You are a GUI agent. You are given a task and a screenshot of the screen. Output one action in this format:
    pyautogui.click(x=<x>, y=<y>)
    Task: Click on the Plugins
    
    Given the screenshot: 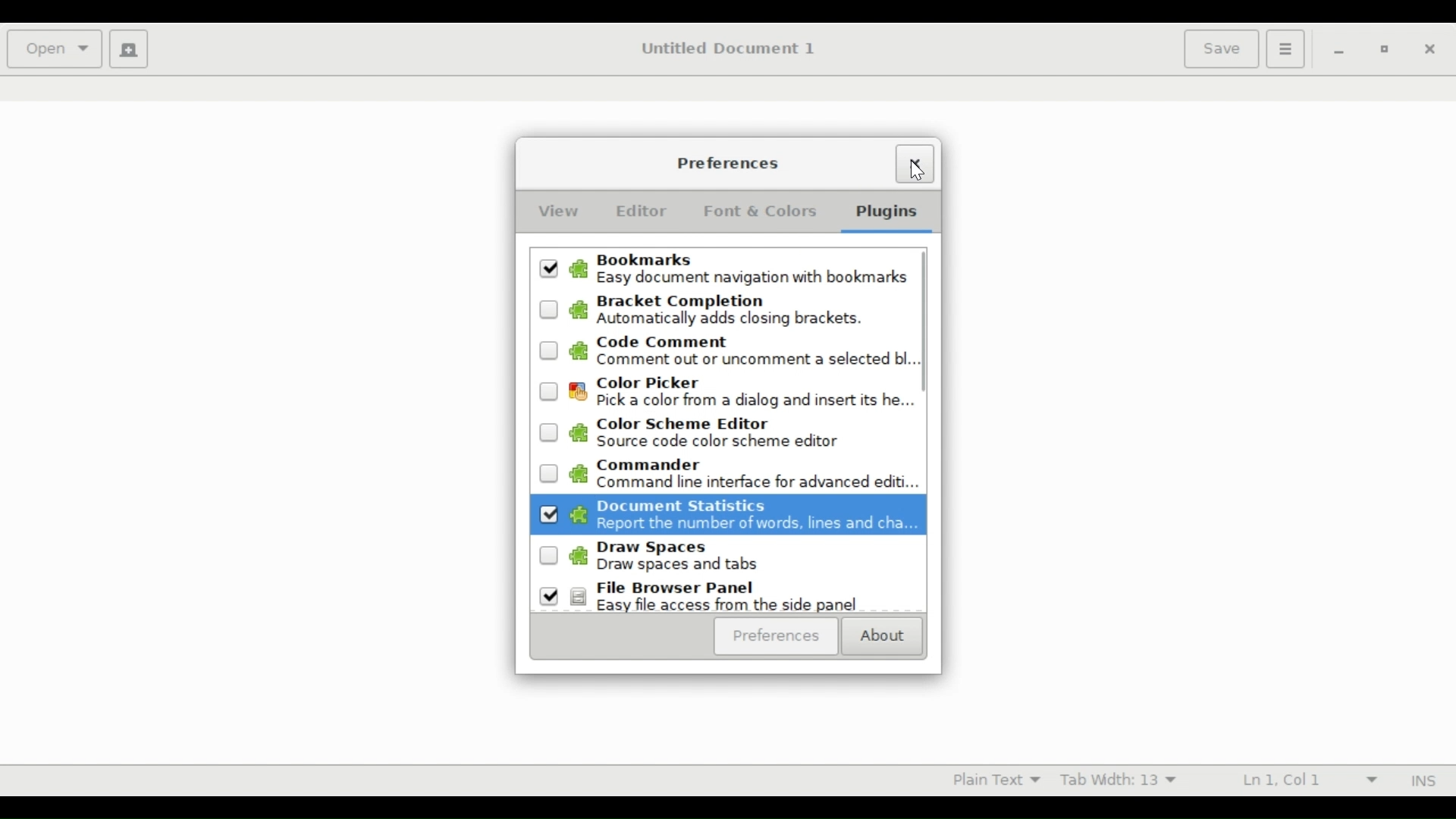 What is the action you would take?
    pyautogui.click(x=885, y=214)
    